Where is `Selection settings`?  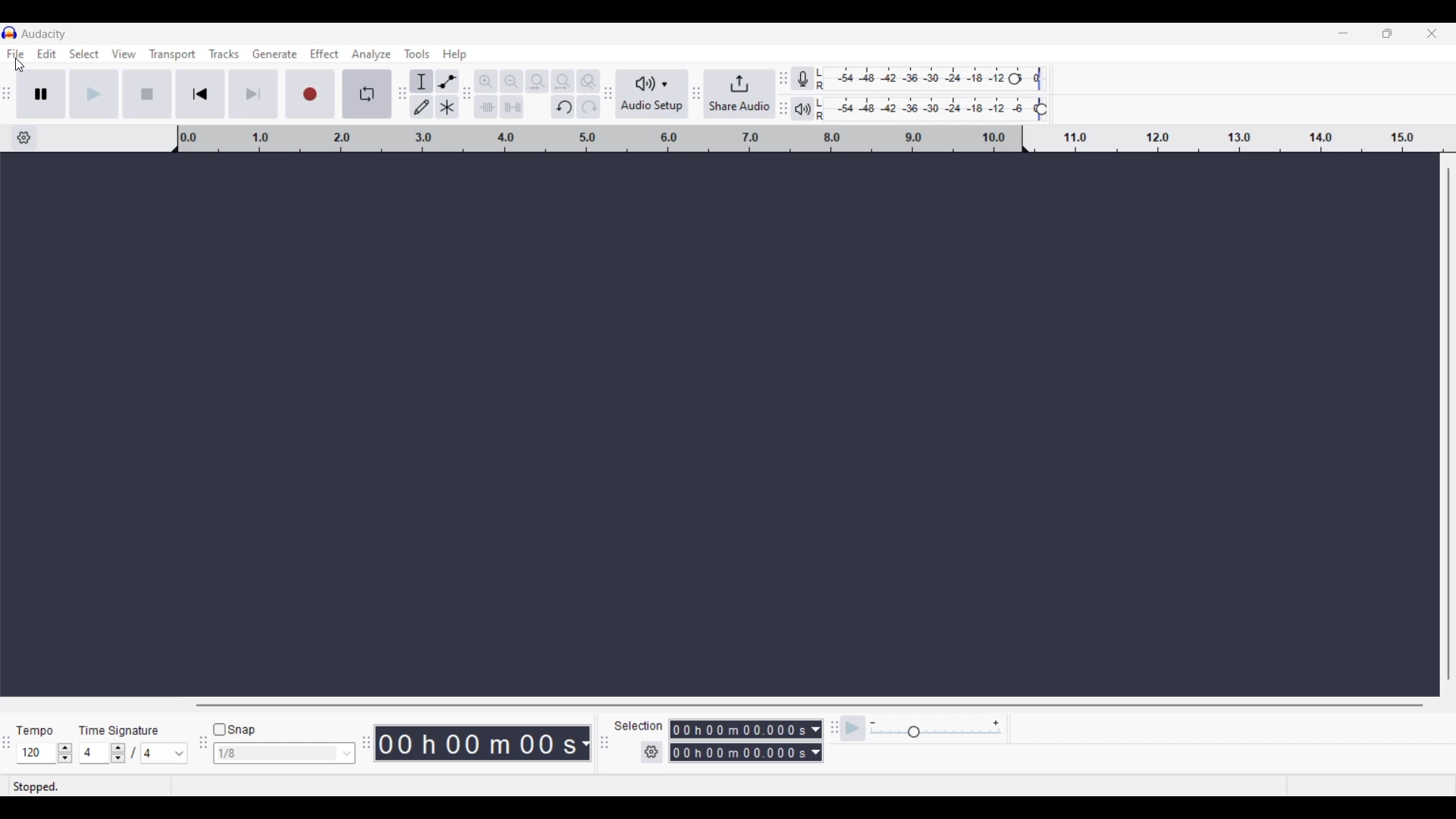
Selection settings is located at coordinates (652, 752).